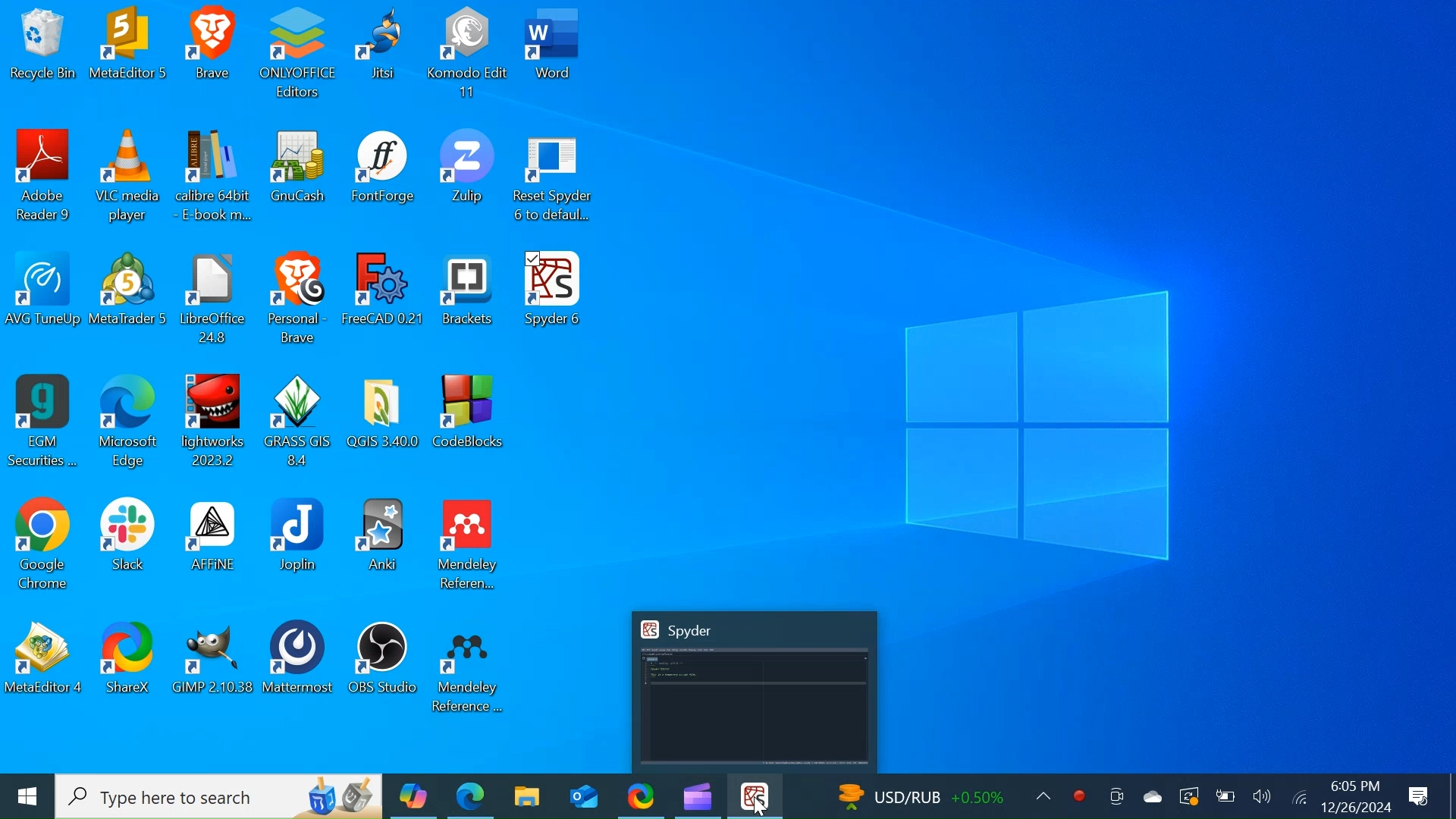  Describe the element at coordinates (939, 794) in the screenshot. I see `Updates` at that location.